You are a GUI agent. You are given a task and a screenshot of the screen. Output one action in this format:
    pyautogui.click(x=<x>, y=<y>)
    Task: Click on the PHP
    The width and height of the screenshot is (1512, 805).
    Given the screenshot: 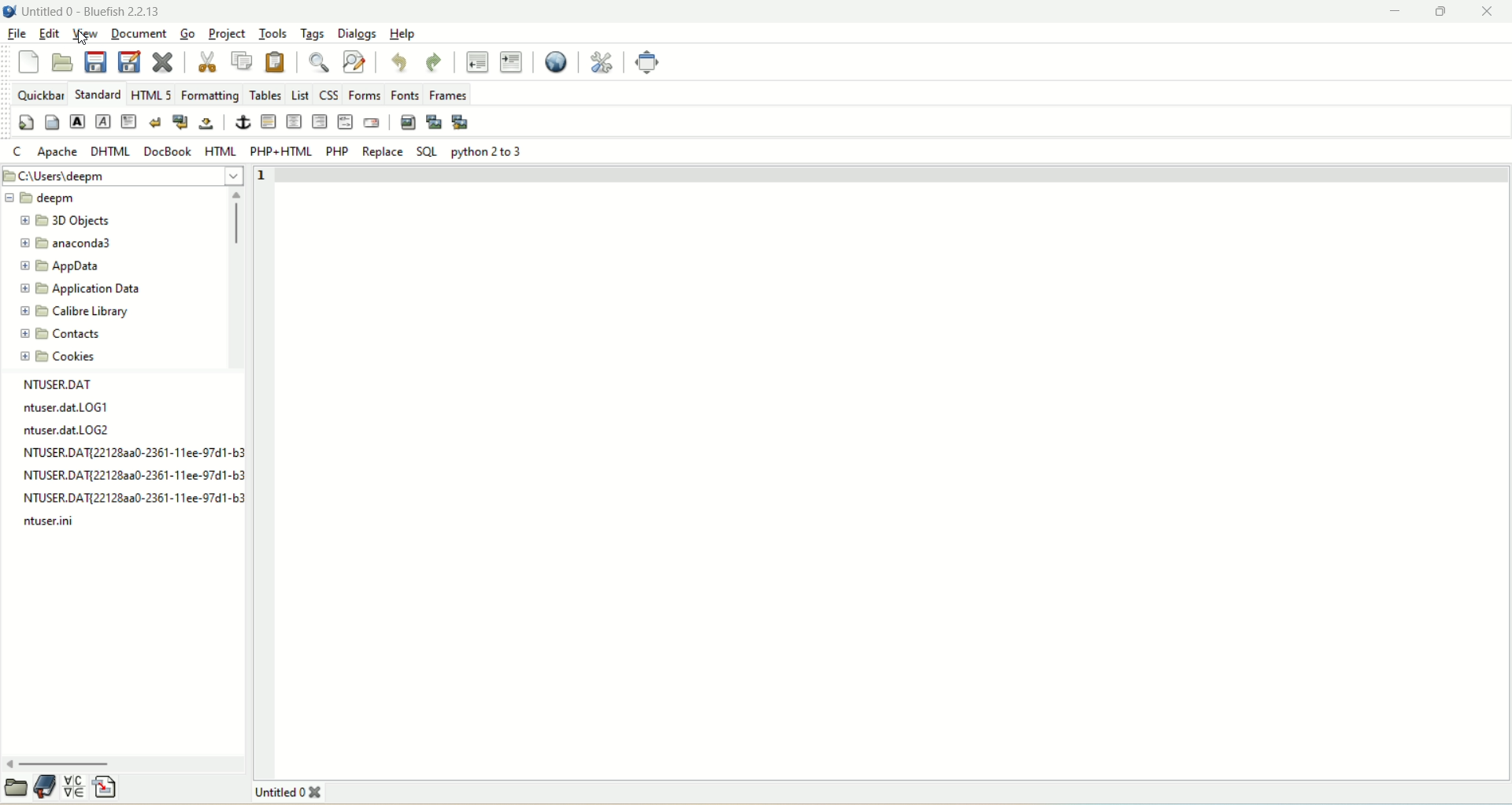 What is the action you would take?
    pyautogui.click(x=337, y=151)
    